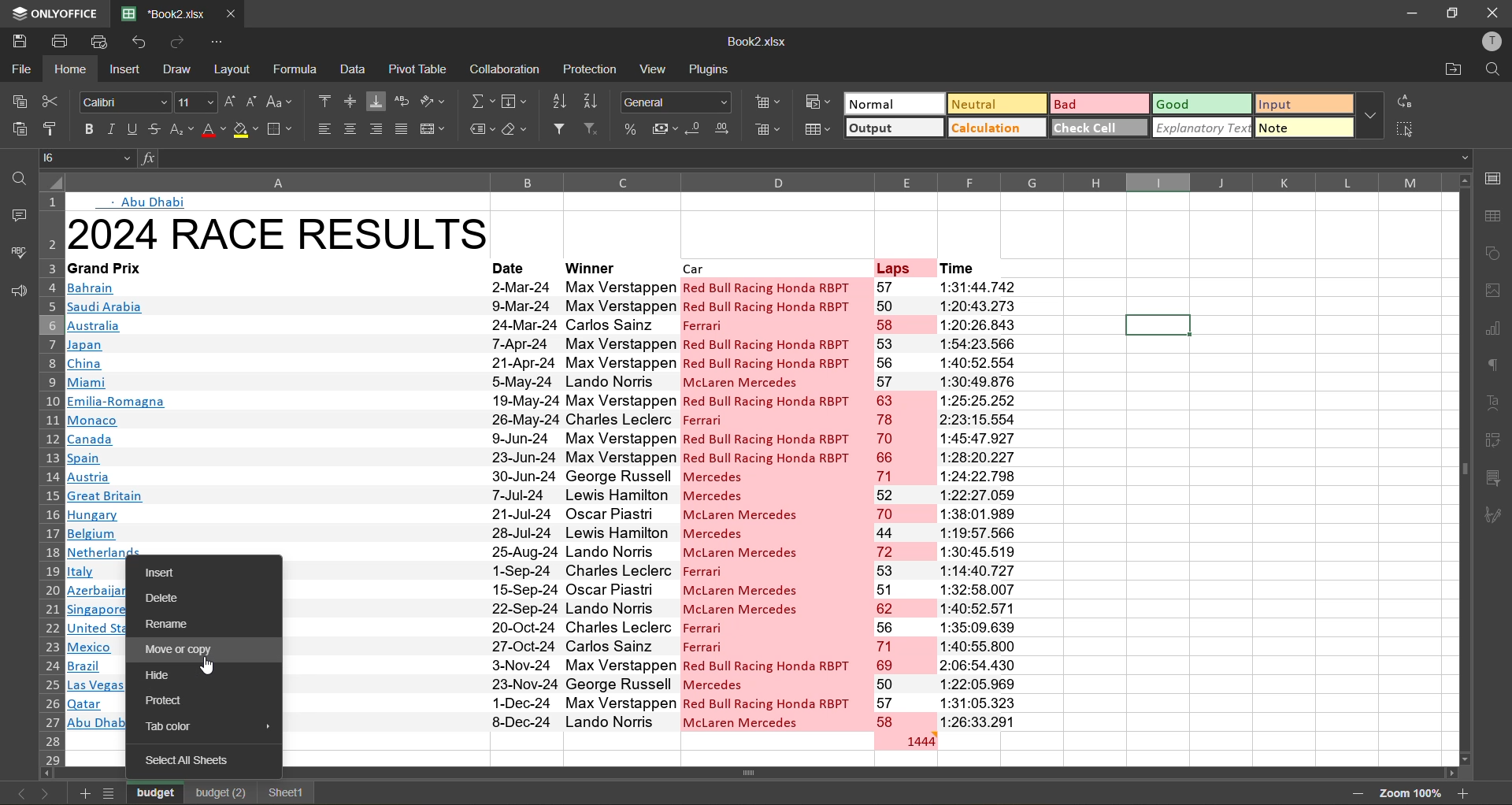 The height and width of the screenshot is (805, 1512). Describe the element at coordinates (14, 215) in the screenshot. I see `comments` at that location.